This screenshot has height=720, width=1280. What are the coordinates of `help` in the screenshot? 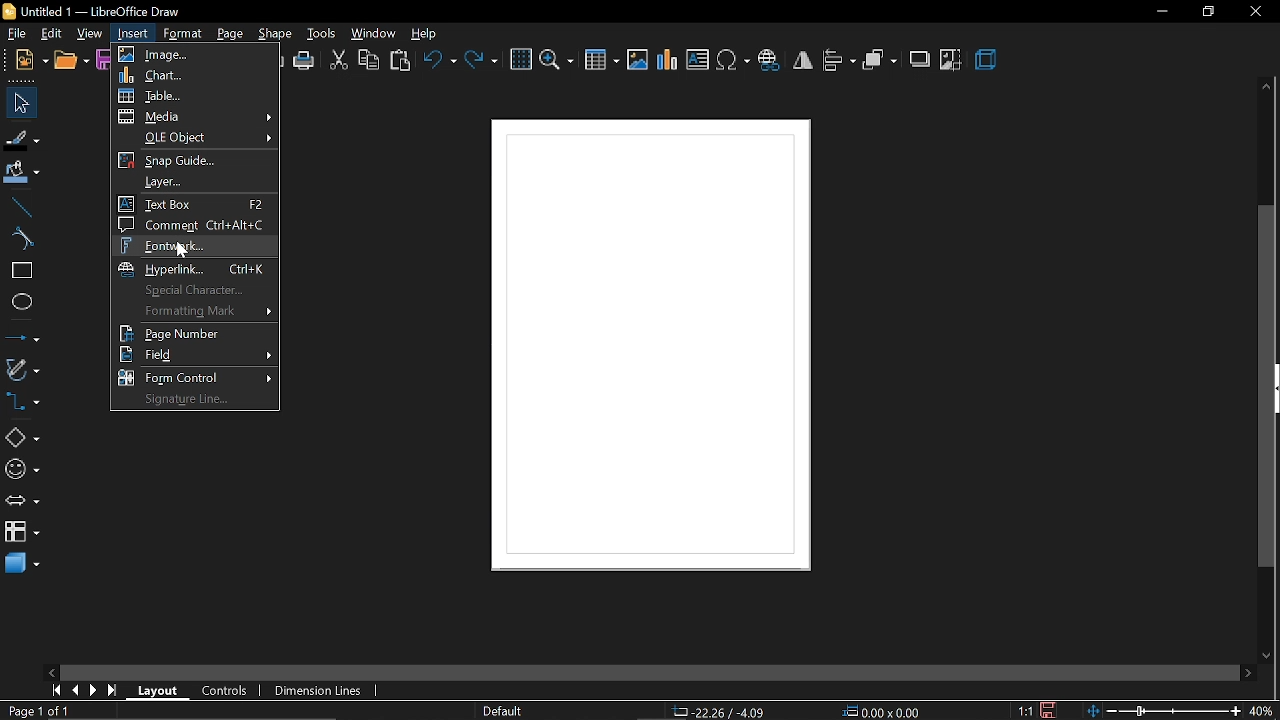 It's located at (427, 35).